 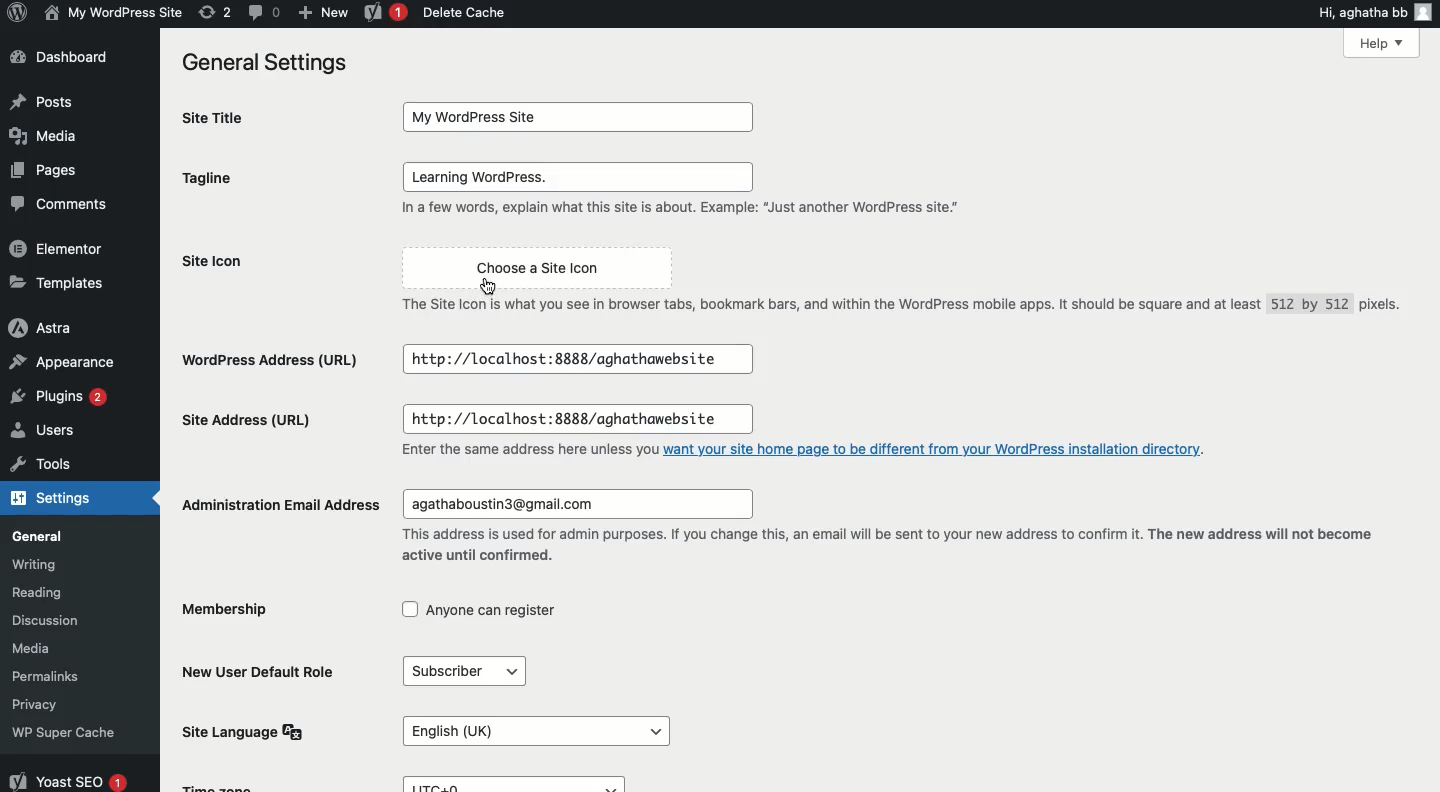 What do you see at coordinates (63, 562) in the screenshot?
I see `Writing` at bounding box center [63, 562].